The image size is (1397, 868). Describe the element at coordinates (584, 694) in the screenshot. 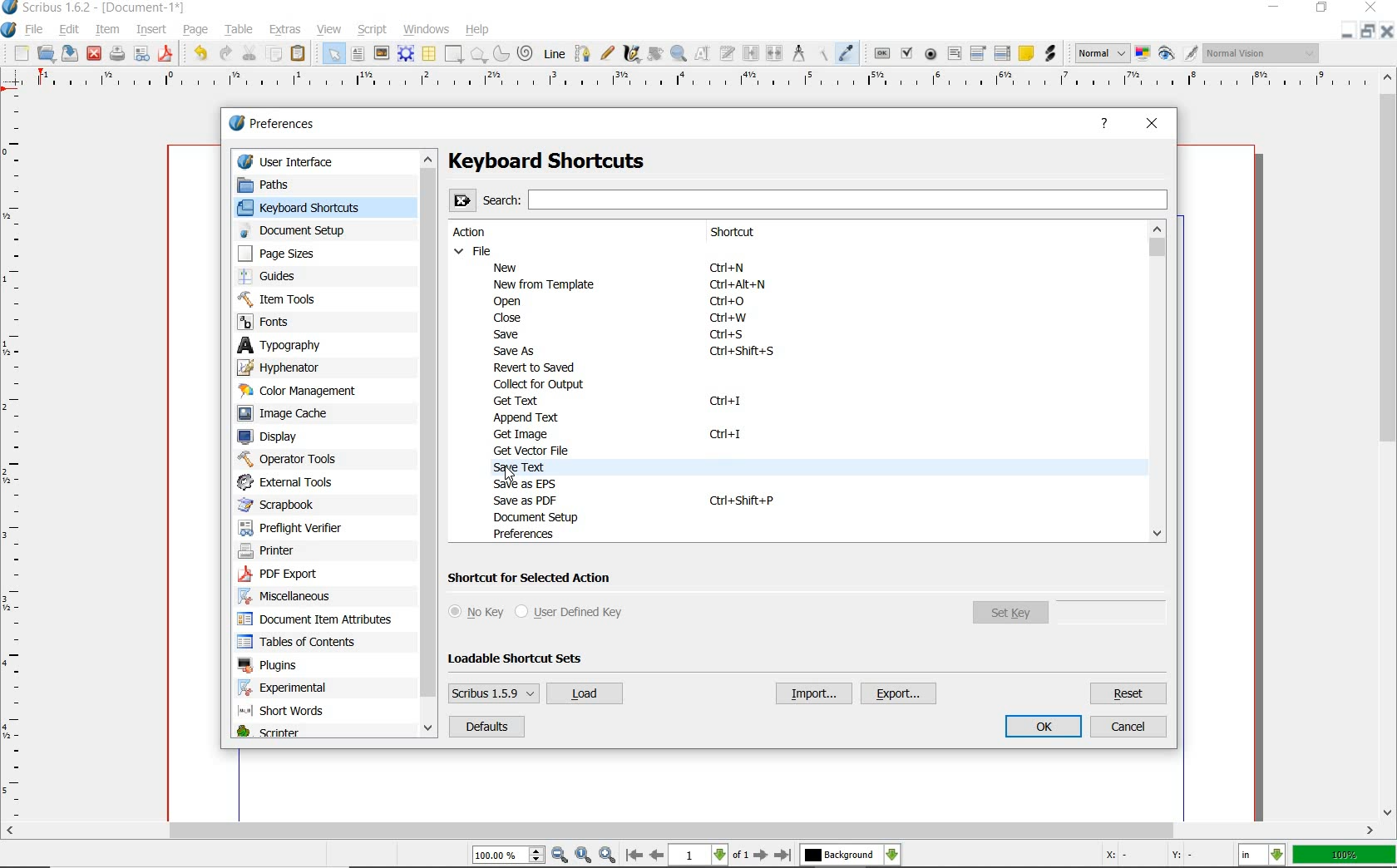

I see `load` at that location.